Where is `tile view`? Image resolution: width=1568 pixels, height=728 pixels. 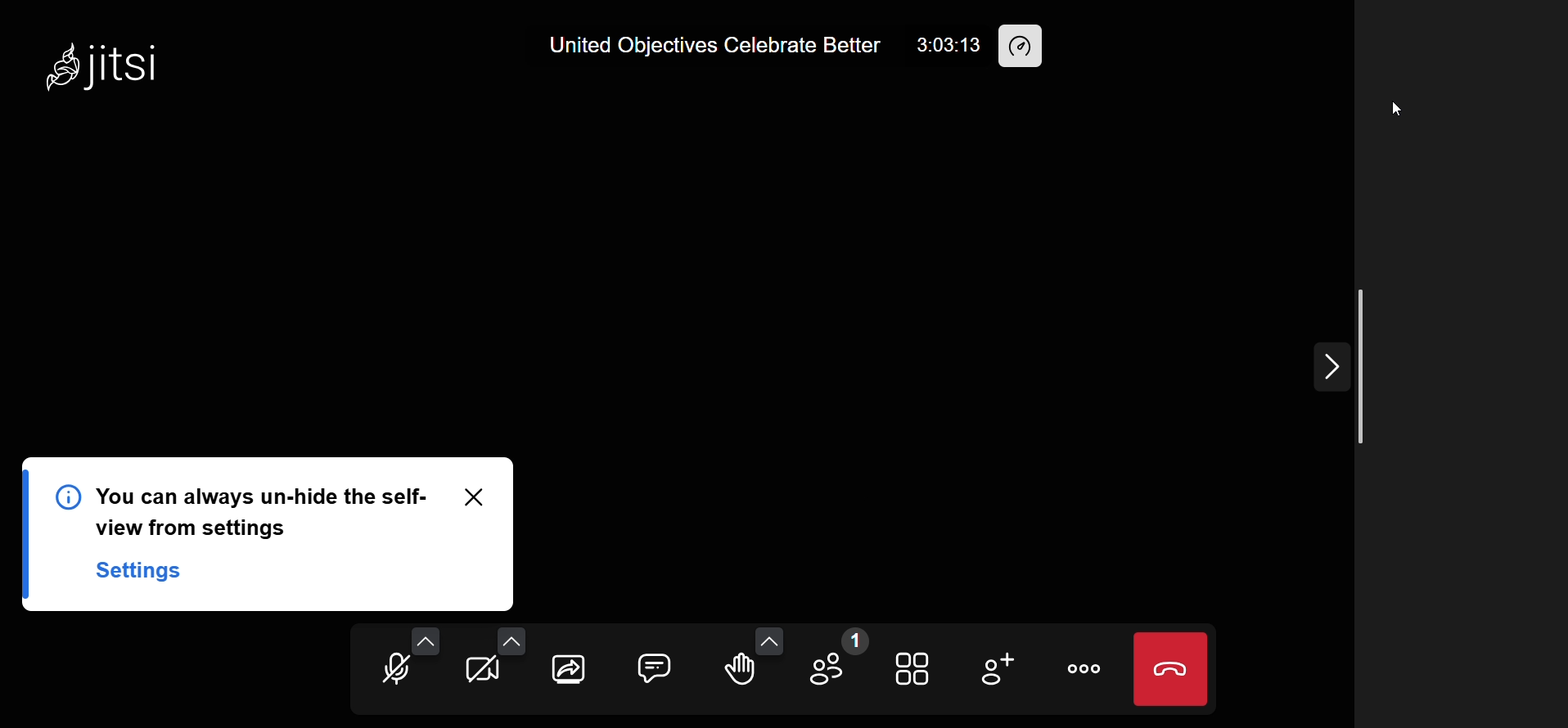 tile view is located at coordinates (912, 667).